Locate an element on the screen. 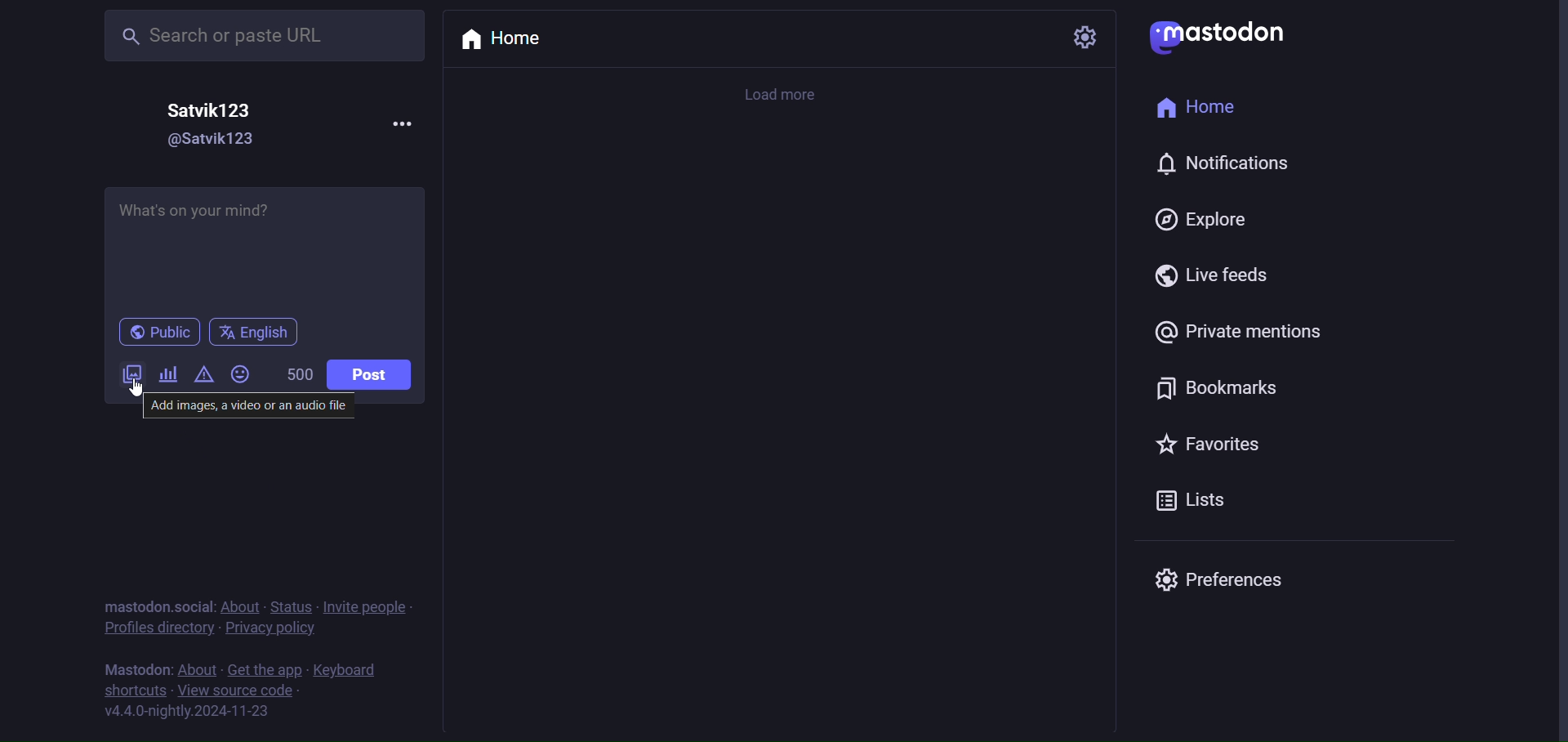  load more is located at coordinates (787, 92).